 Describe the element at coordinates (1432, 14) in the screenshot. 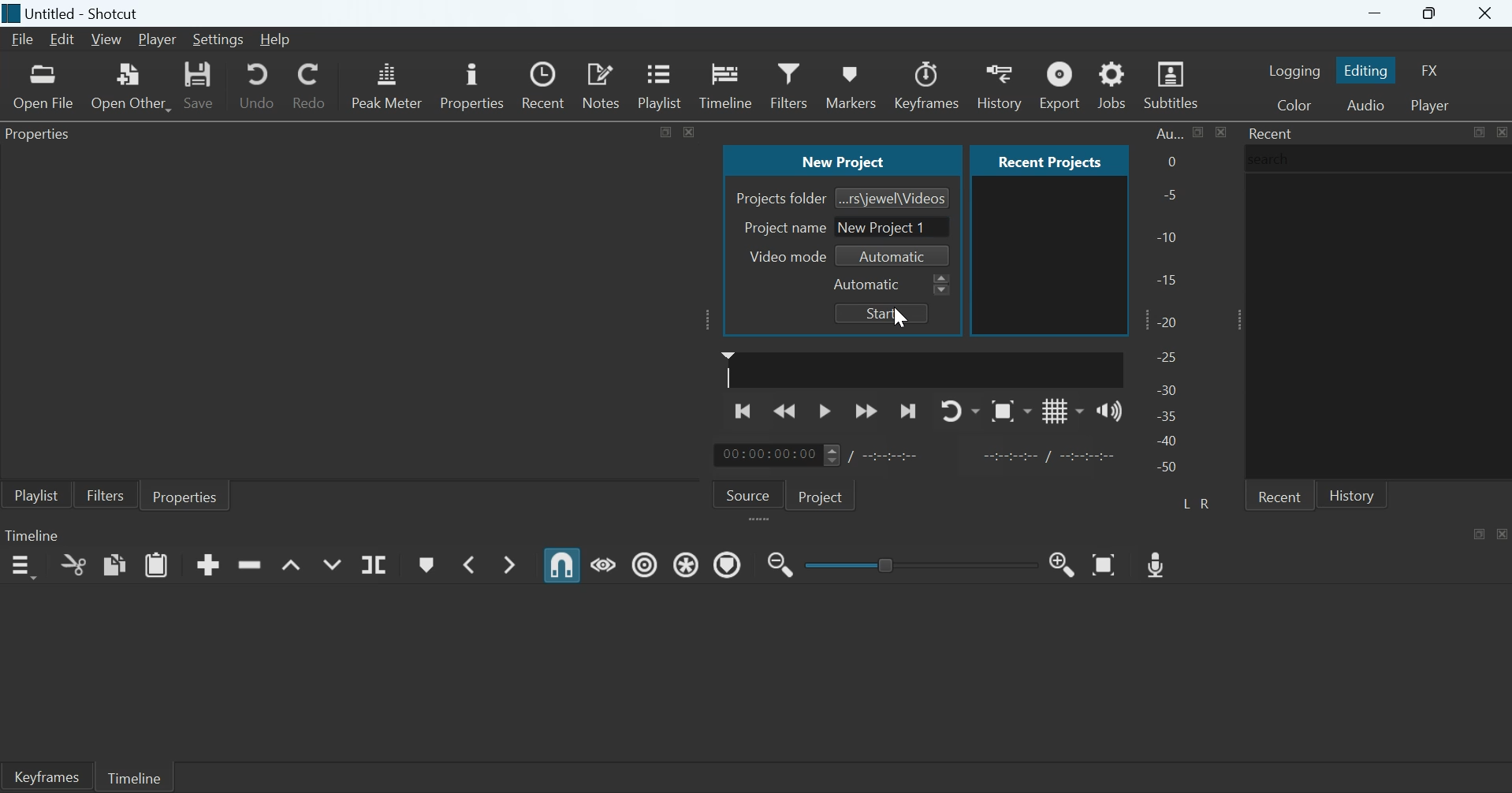

I see `Maximize` at that location.